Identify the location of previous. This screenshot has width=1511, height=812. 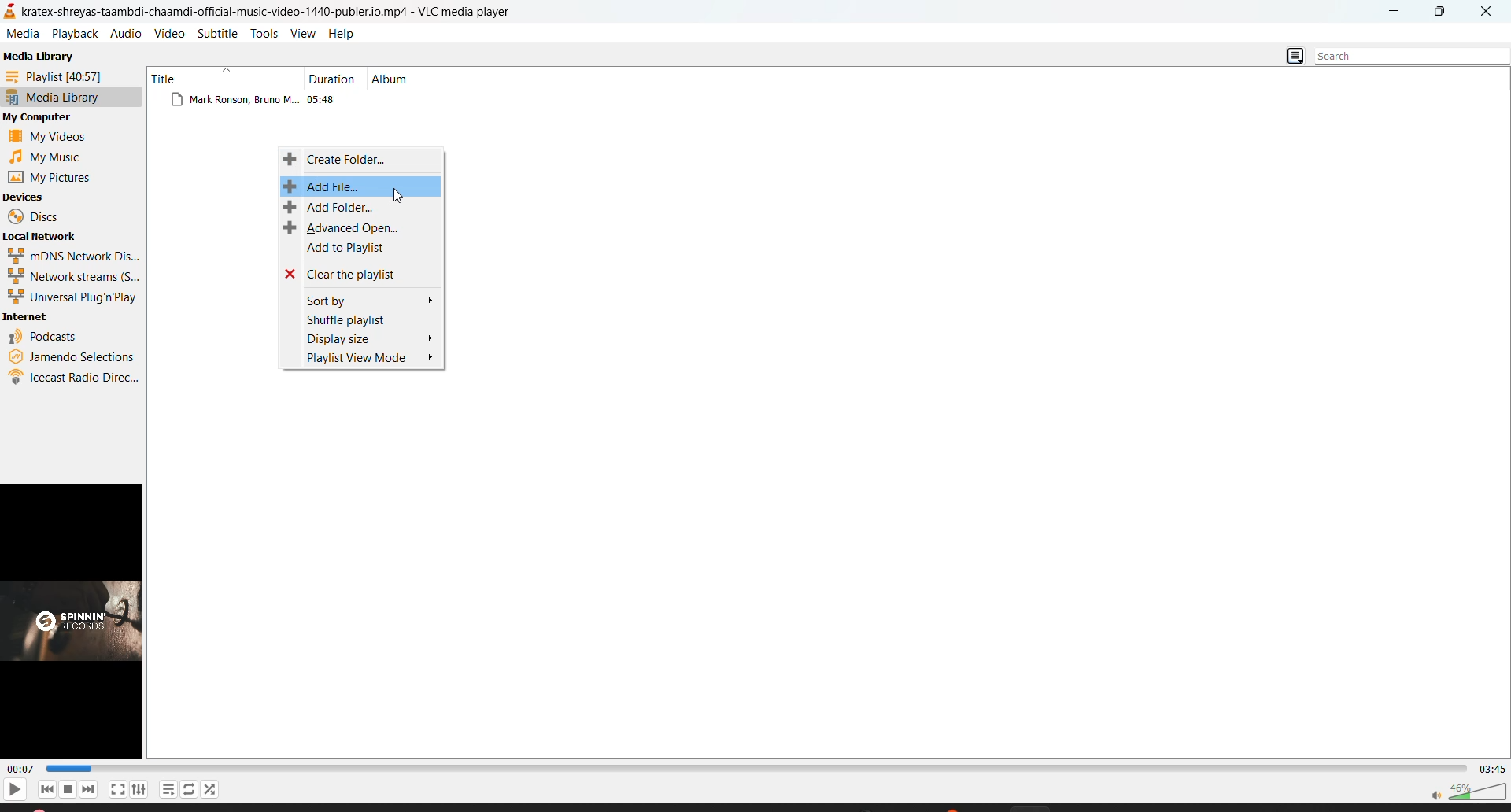
(47, 789).